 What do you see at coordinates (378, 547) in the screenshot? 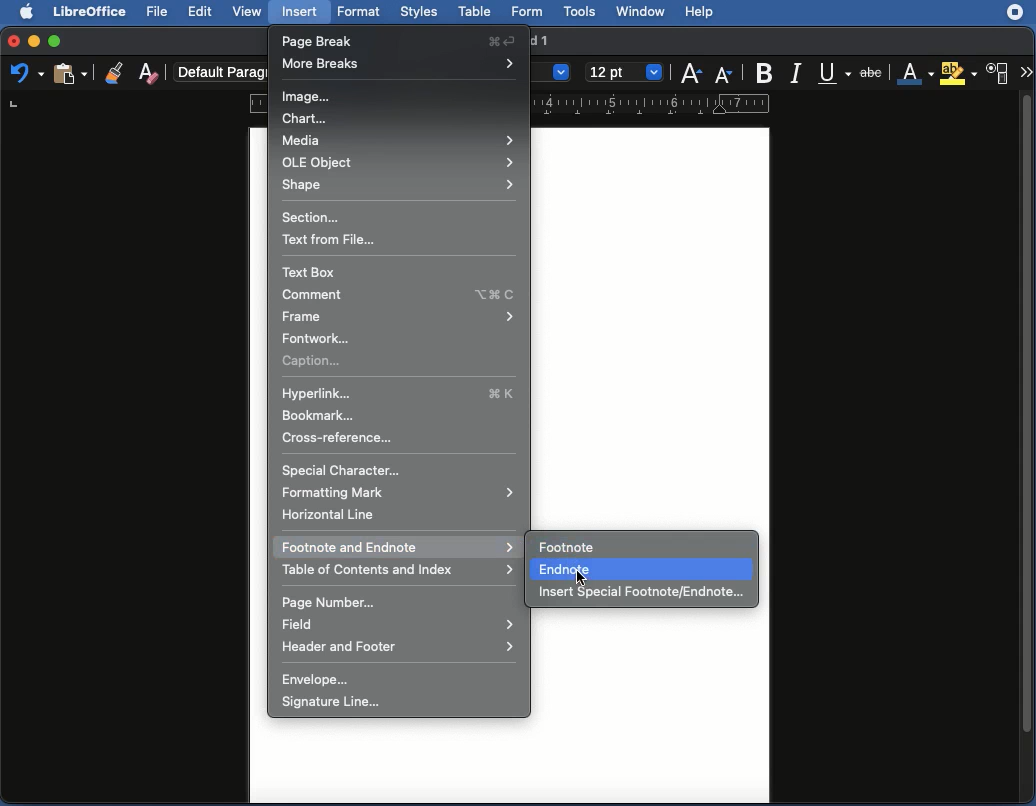
I see `cursor` at bounding box center [378, 547].